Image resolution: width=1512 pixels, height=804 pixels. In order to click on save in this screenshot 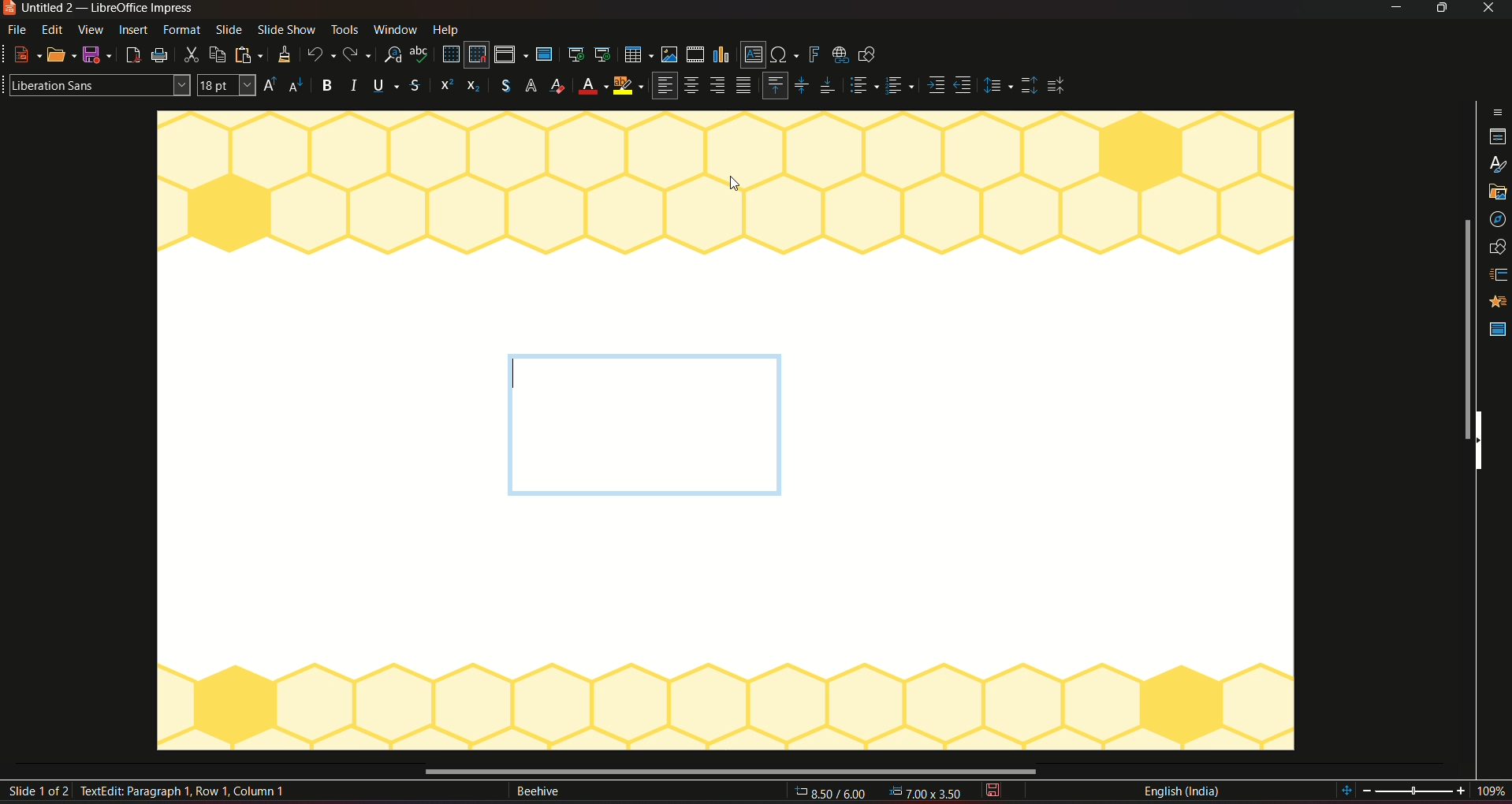, I will do `click(97, 54)`.